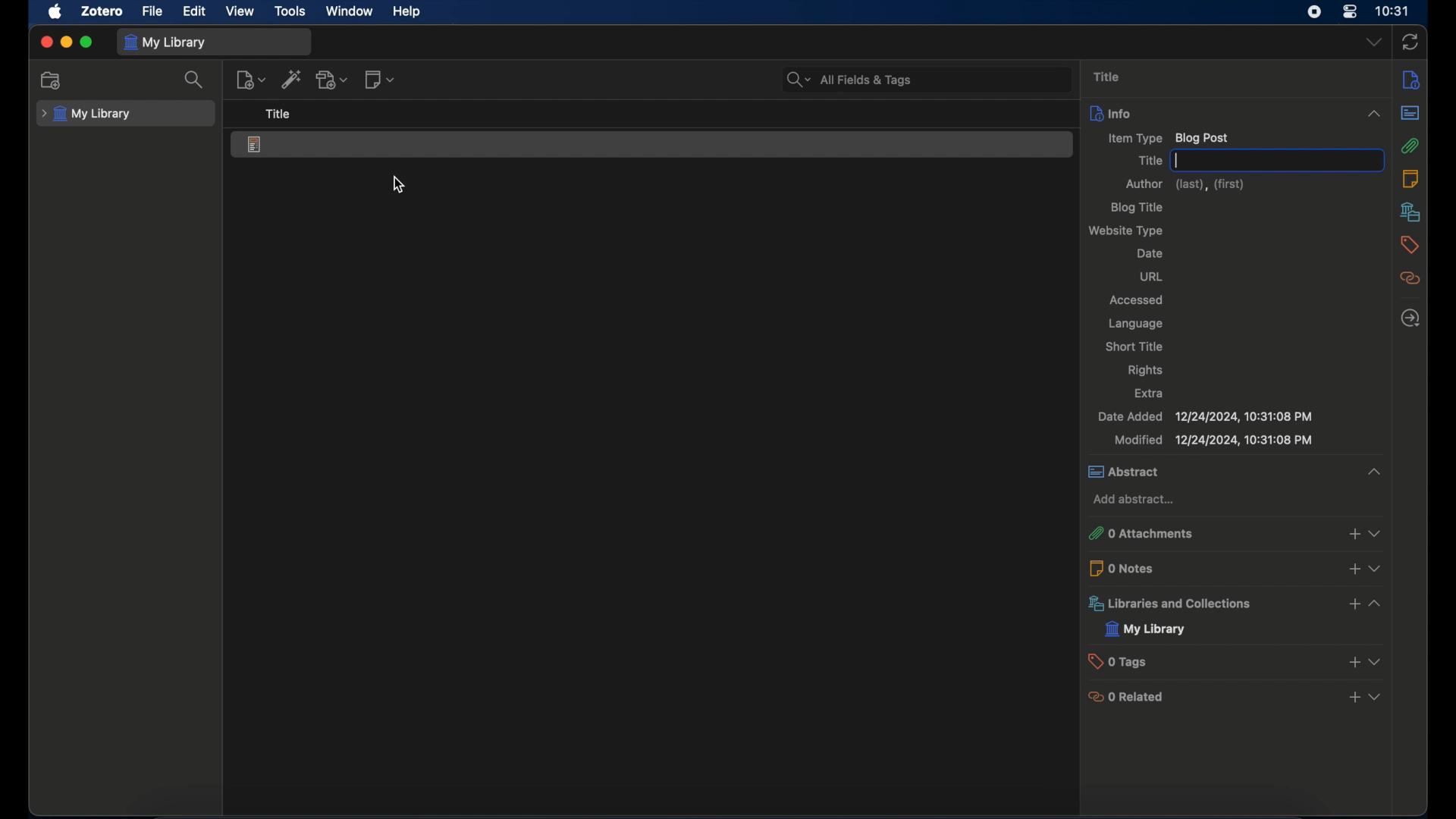 The image size is (1456, 819). I want to click on add abstract, so click(1134, 501).